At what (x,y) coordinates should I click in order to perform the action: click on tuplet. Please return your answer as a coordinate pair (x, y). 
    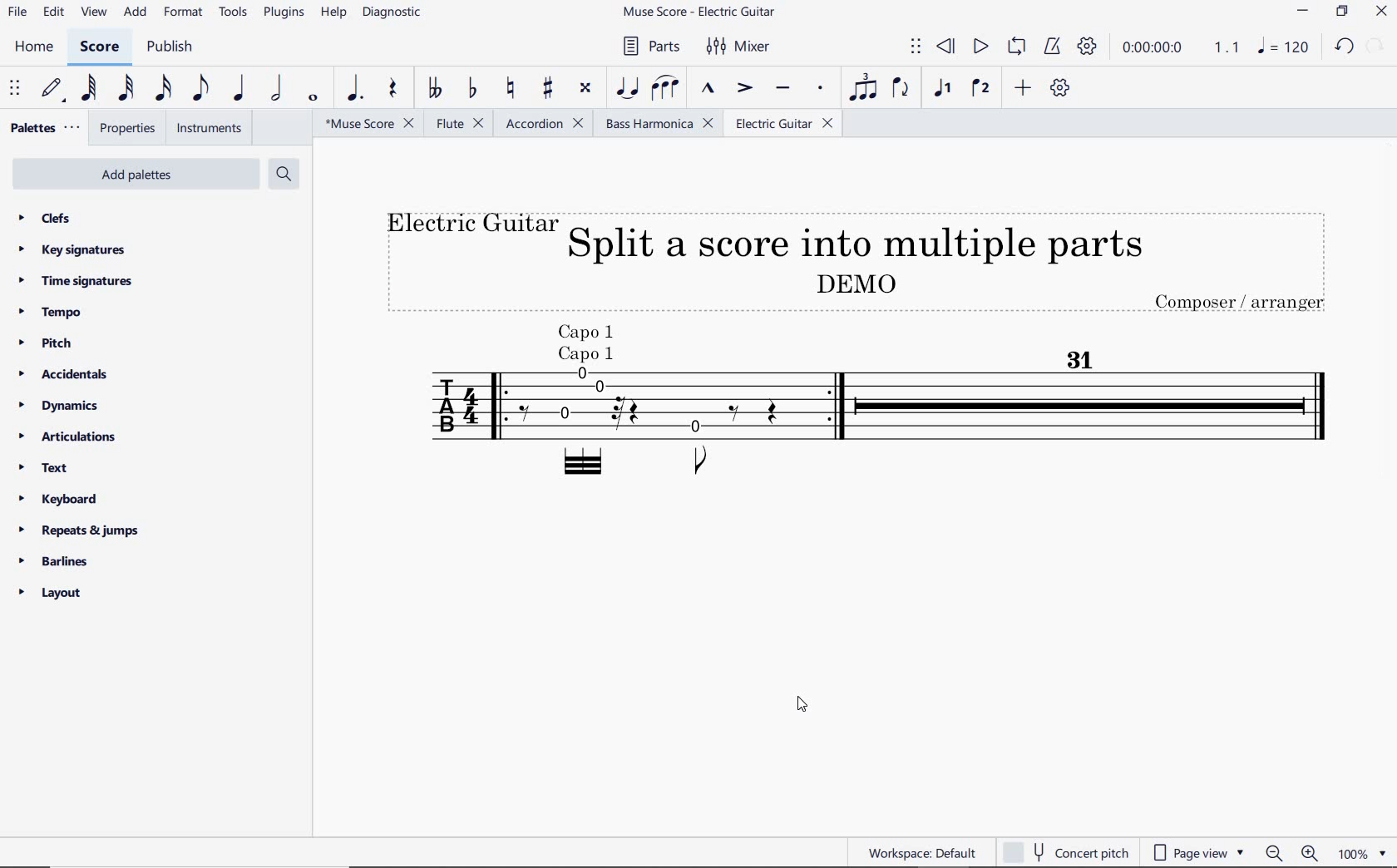
    Looking at the image, I should click on (864, 88).